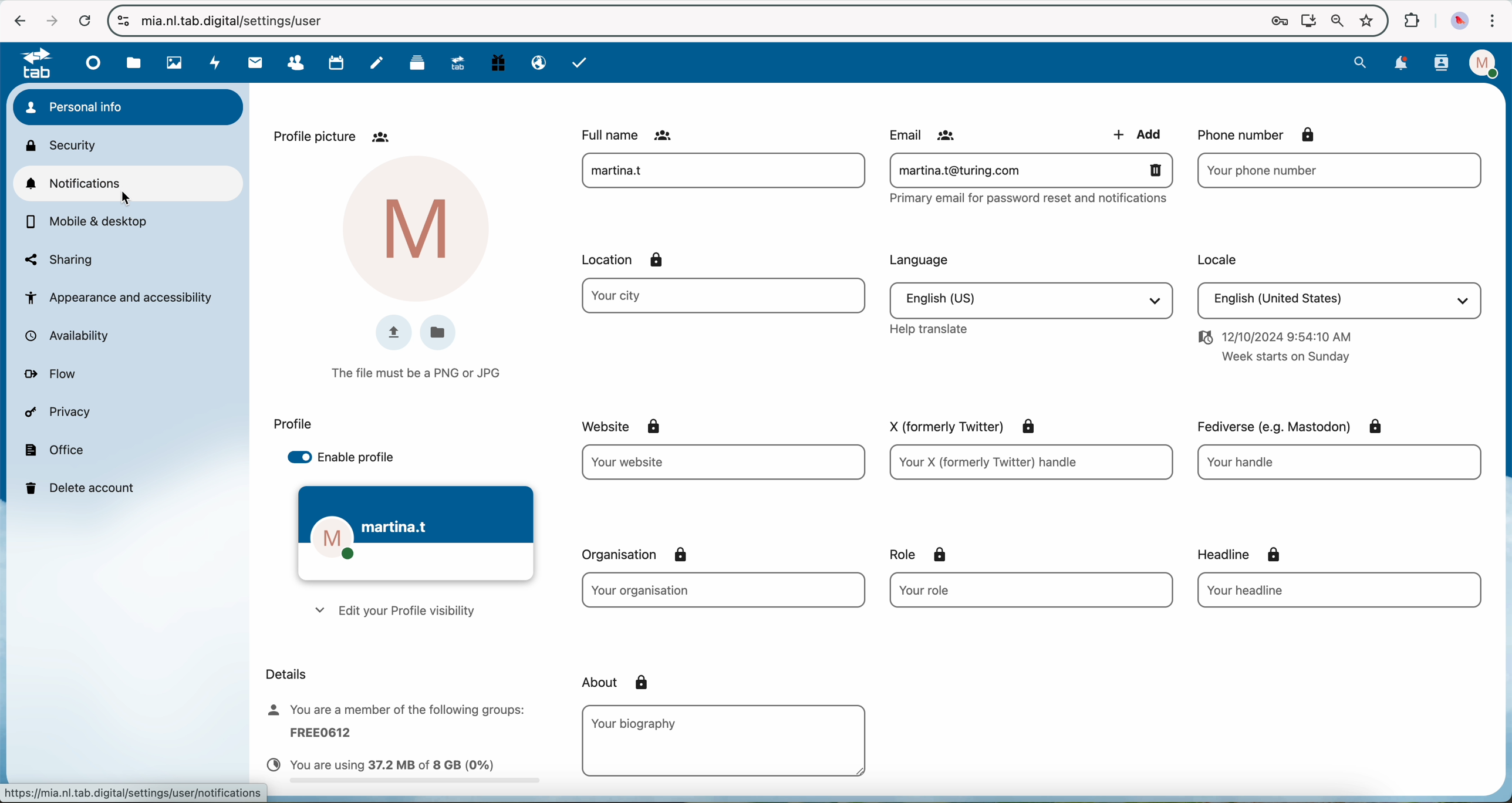 The image size is (1512, 803). Describe the element at coordinates (1460, 20) in the screenshot. I see `profile picture` at that location.